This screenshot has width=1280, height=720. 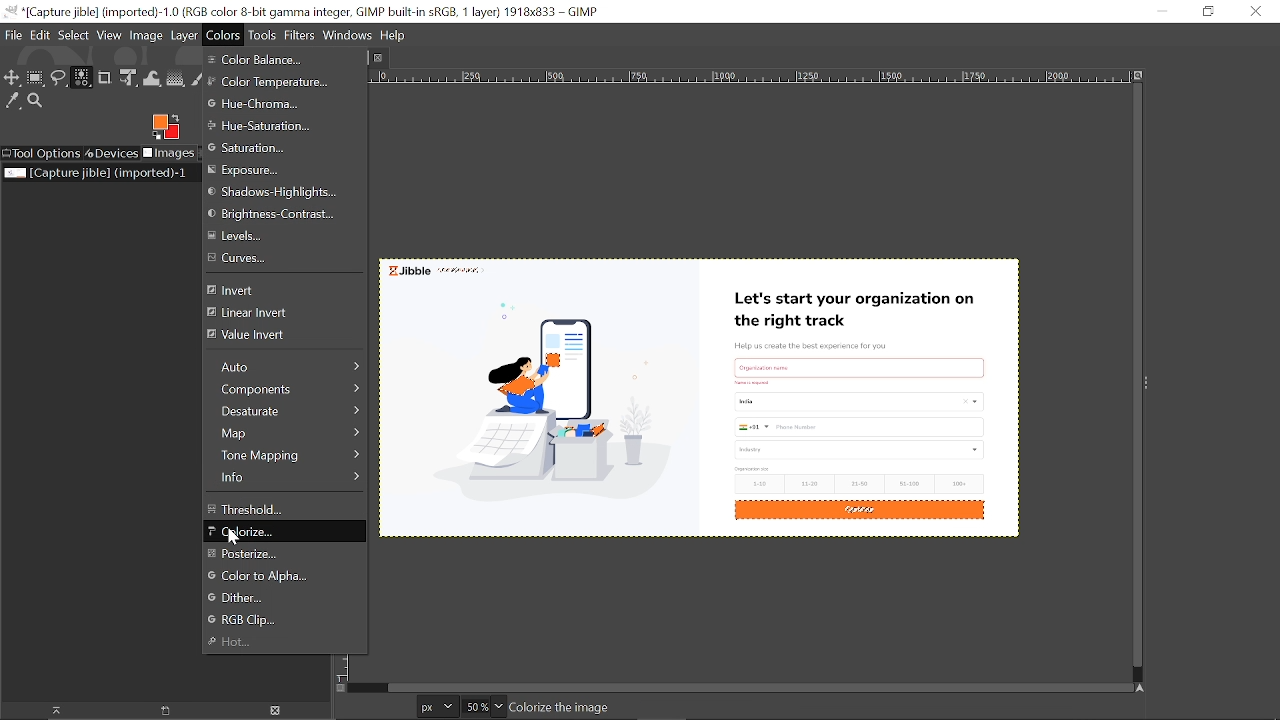 I want to click on Minimize, so click(x=1158, y=10).